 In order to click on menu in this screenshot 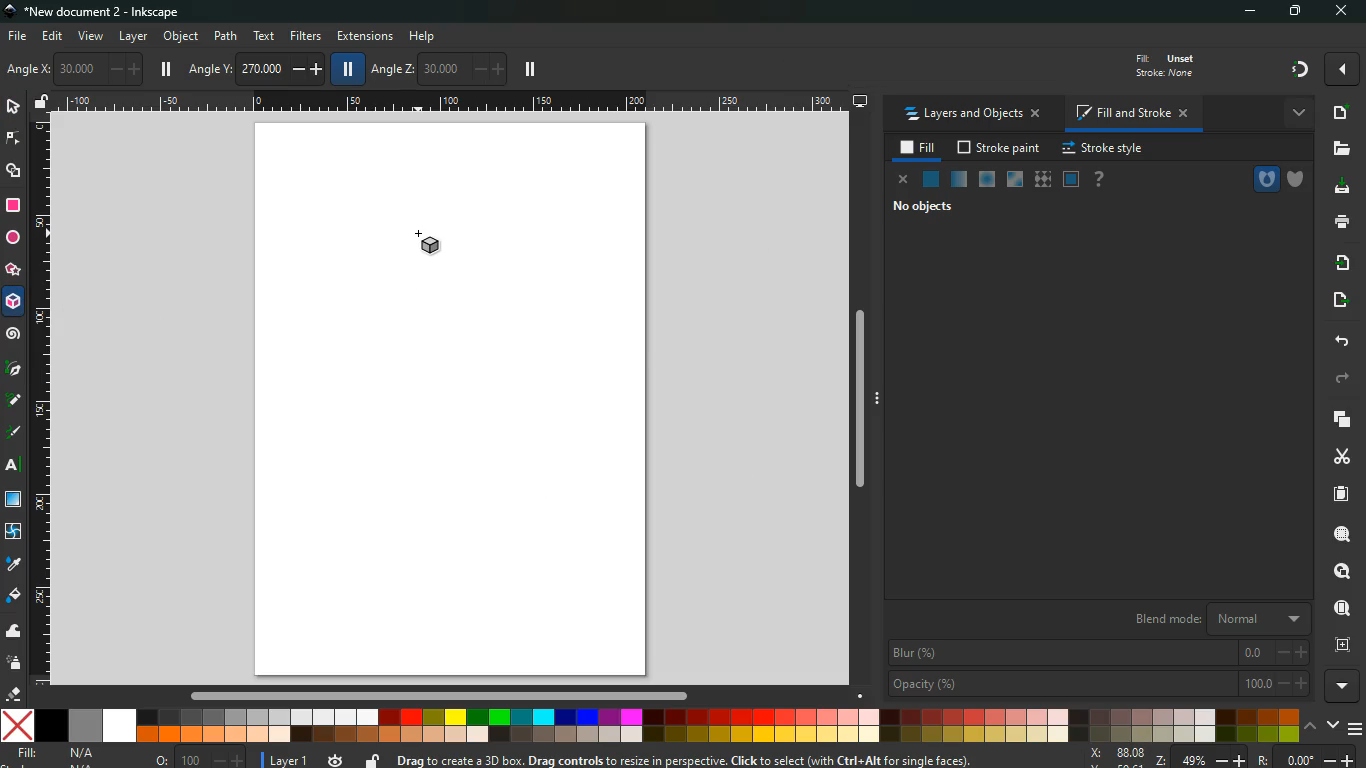, I will do `click(1357, 729)`.